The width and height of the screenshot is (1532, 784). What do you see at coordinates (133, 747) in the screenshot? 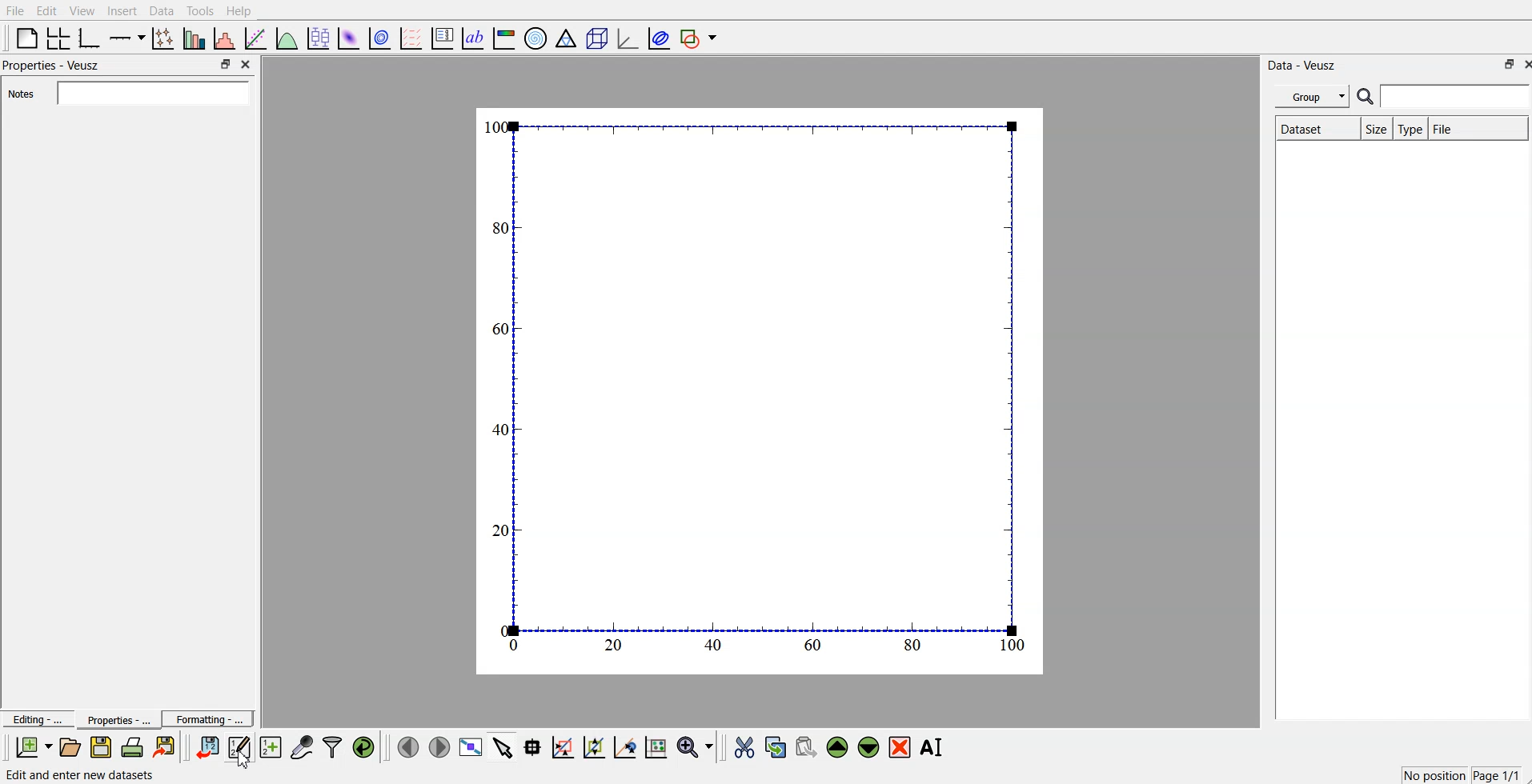
I see `Print` at bounding box center [133, 747].